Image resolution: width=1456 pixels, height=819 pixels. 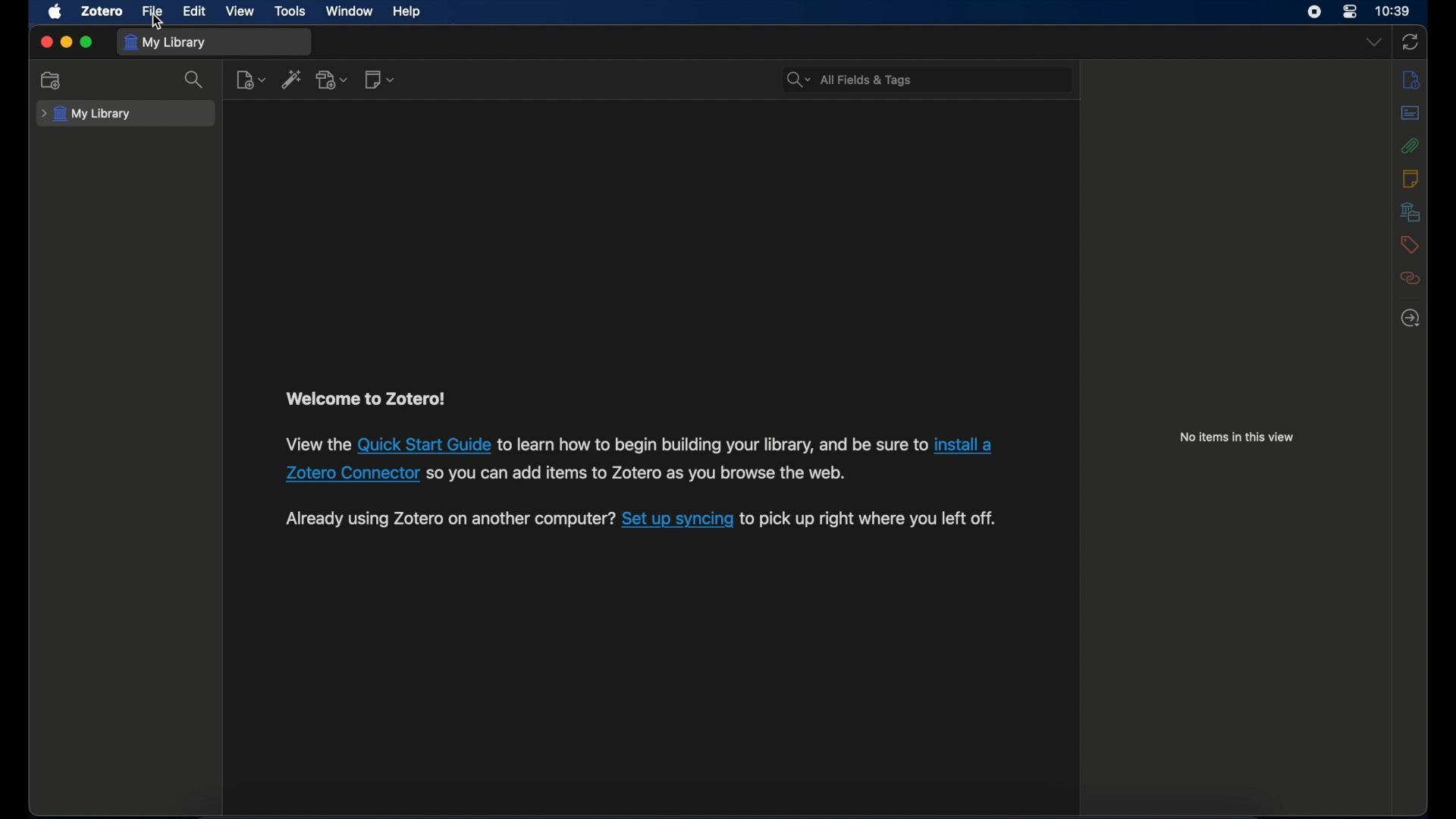 What do you see at coordinates (103, 11) in the screenshot?
I see `zotero` at bounding box center [103, 11].